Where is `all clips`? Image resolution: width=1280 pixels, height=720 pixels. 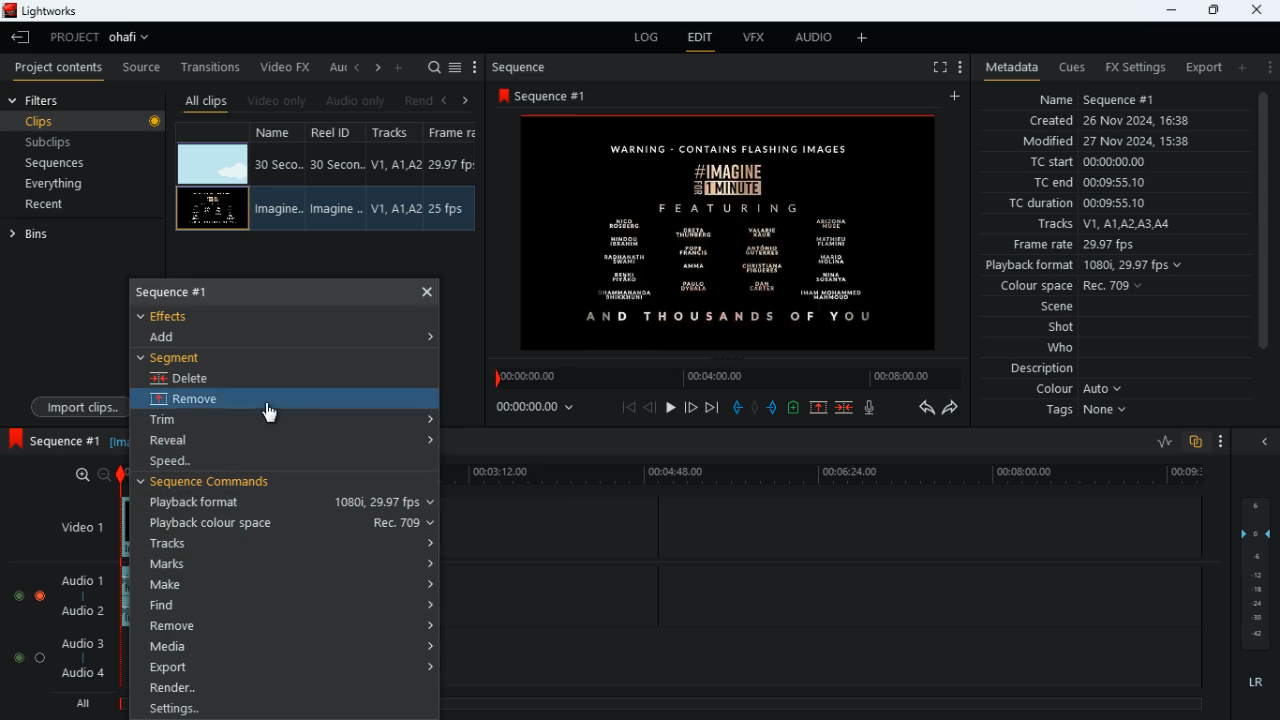
all clips is located at coordinates (207, 99).